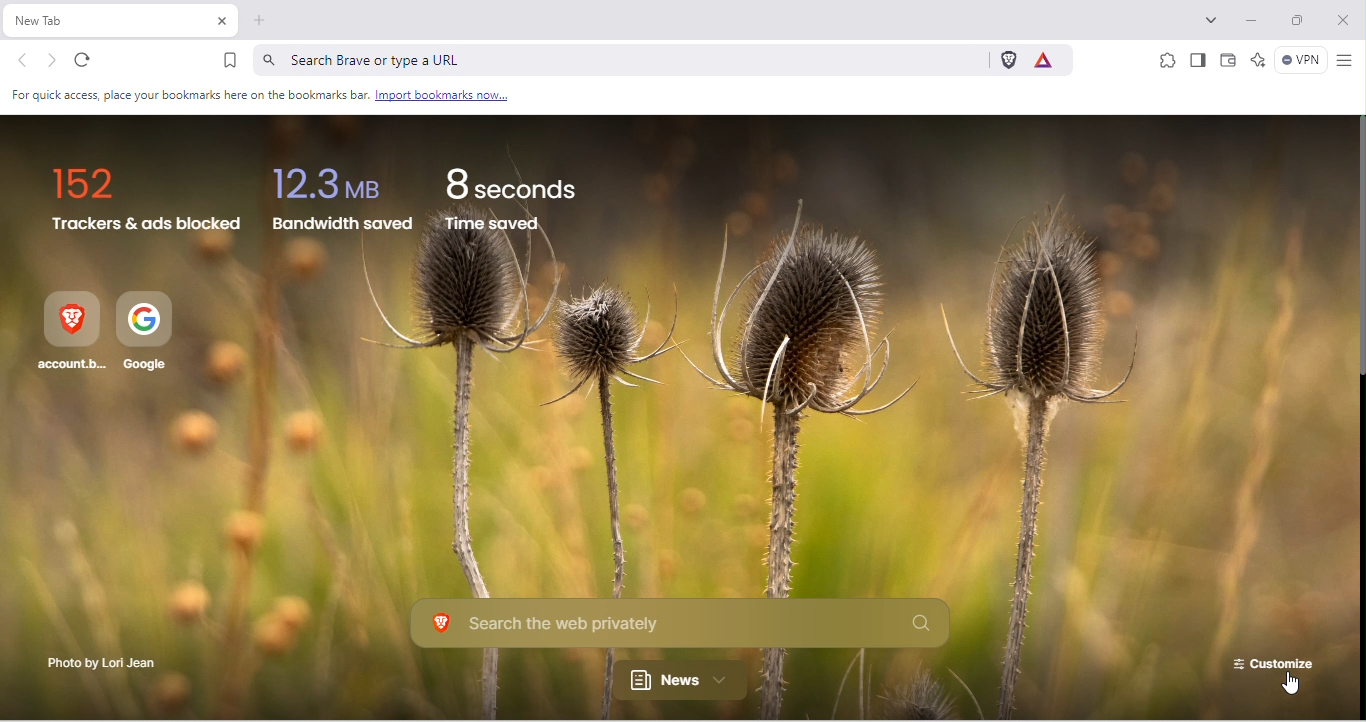 The height and width of the screenshot is (722, 1366). What do you see at coordinates (1344, 61) in the screenshot?
I see `Customize and control Brave` at bounding box center [1344, 61].